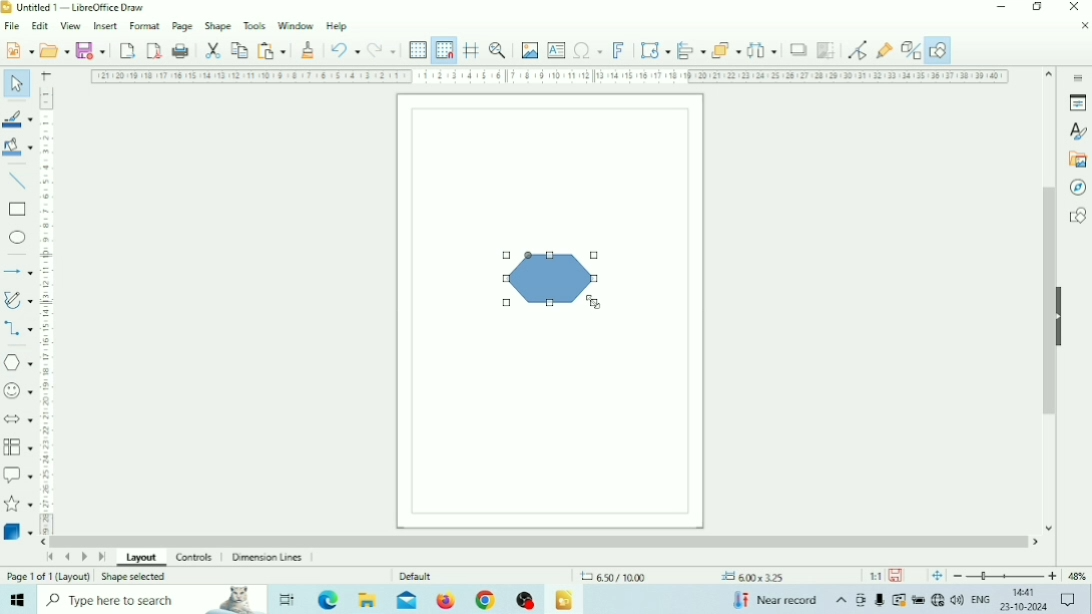  Describe the element at coordinates (1026, 592) in the screenshot. I see `Time` at that location.